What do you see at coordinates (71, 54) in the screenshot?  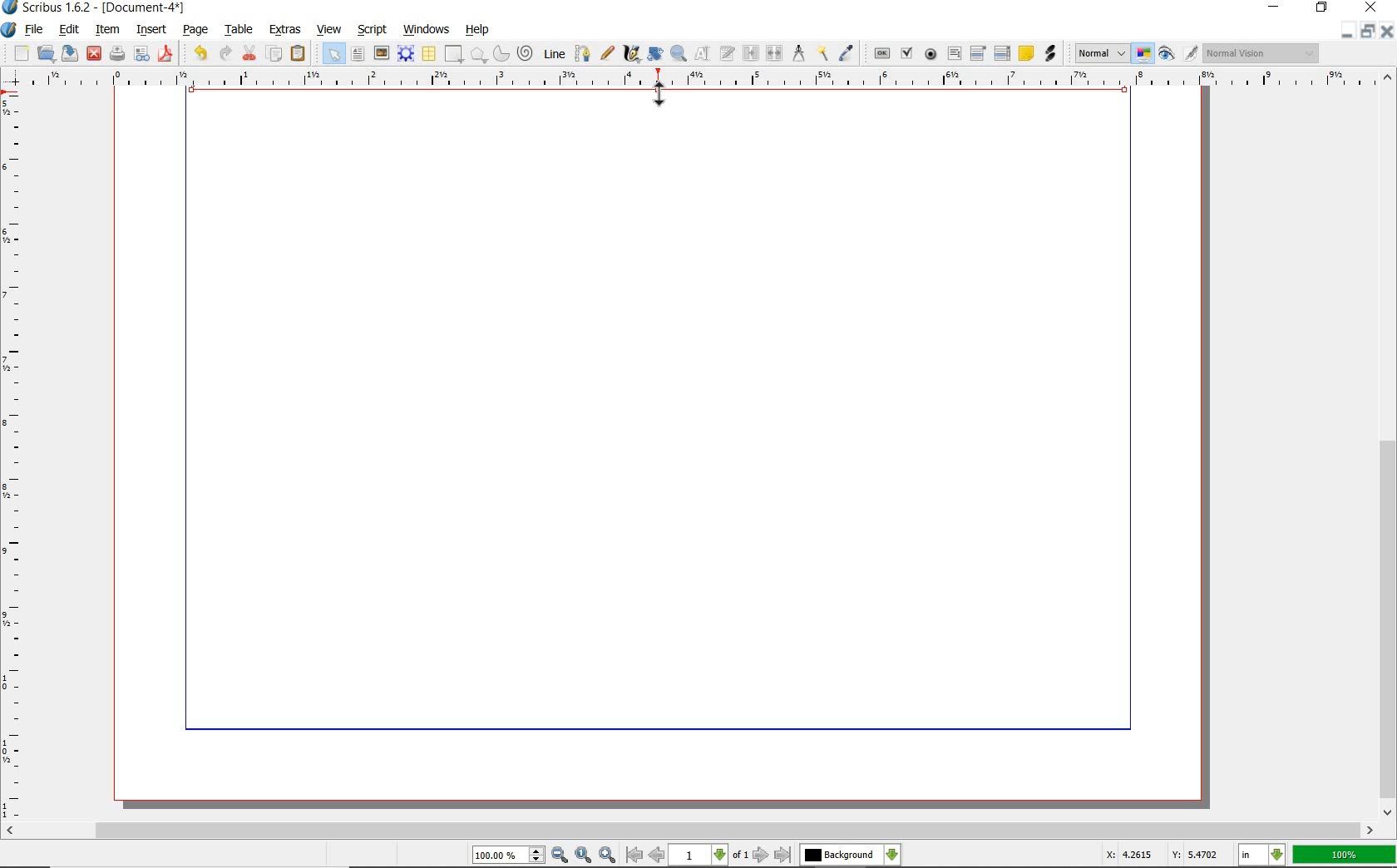 I see `save` at bounding box center [71, 54].